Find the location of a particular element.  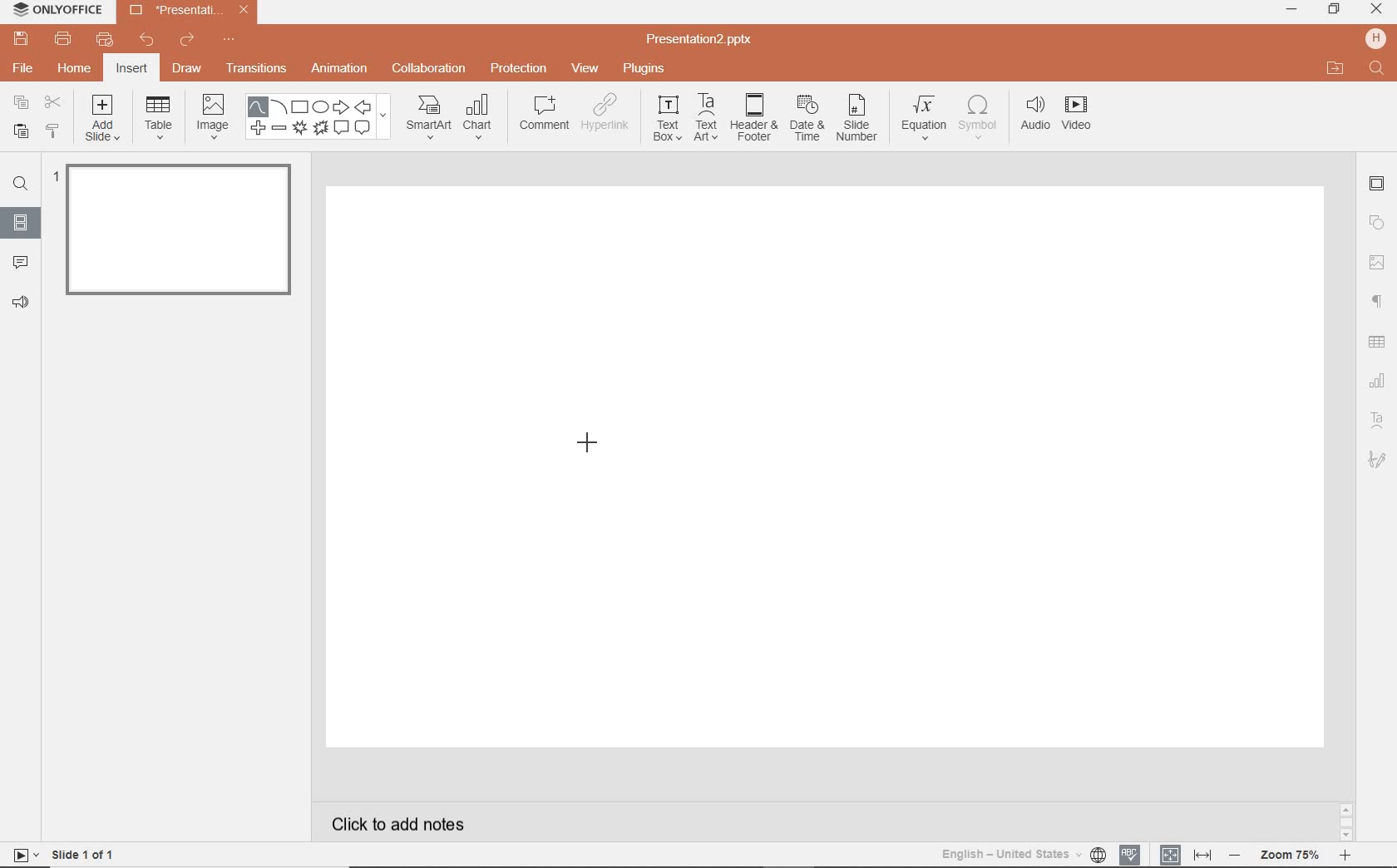

ONLYOFFICE is located at coordinates (58, 11).